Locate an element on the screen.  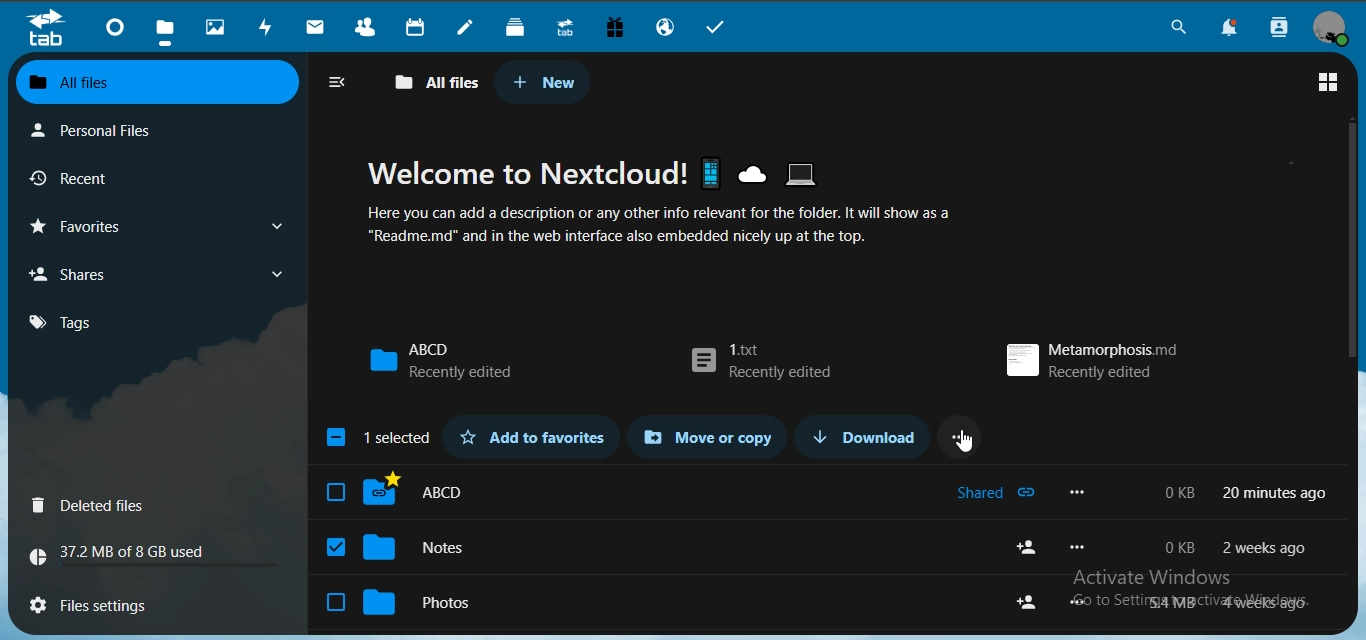
4 weeks ago is located at coordinates (1272, 602).